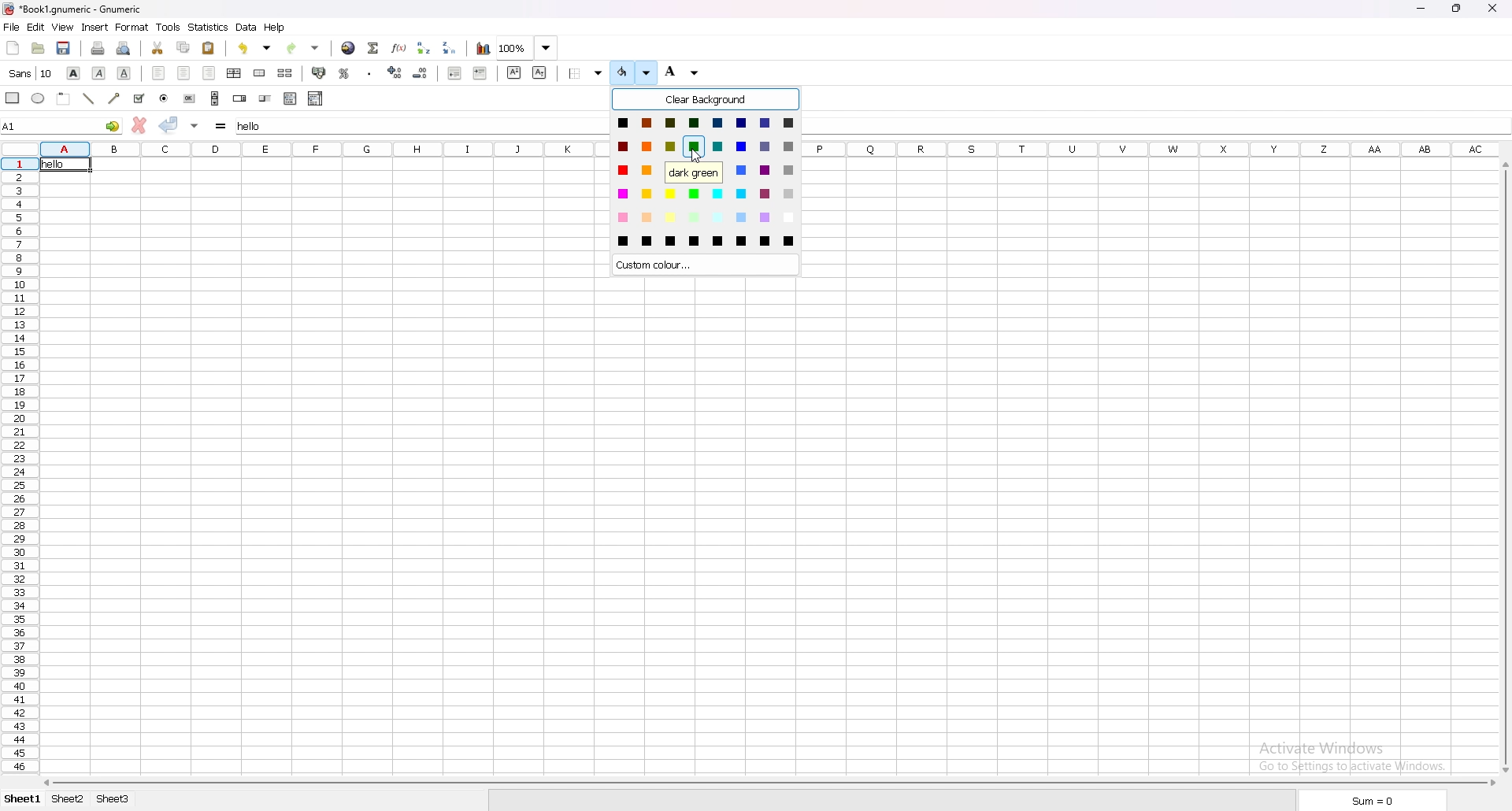 The height and width of the screenshot is (811, 1512). What do you see at coordinates (63, 27) in the screenshot?
I see `view` at bounding box center [63, 27].